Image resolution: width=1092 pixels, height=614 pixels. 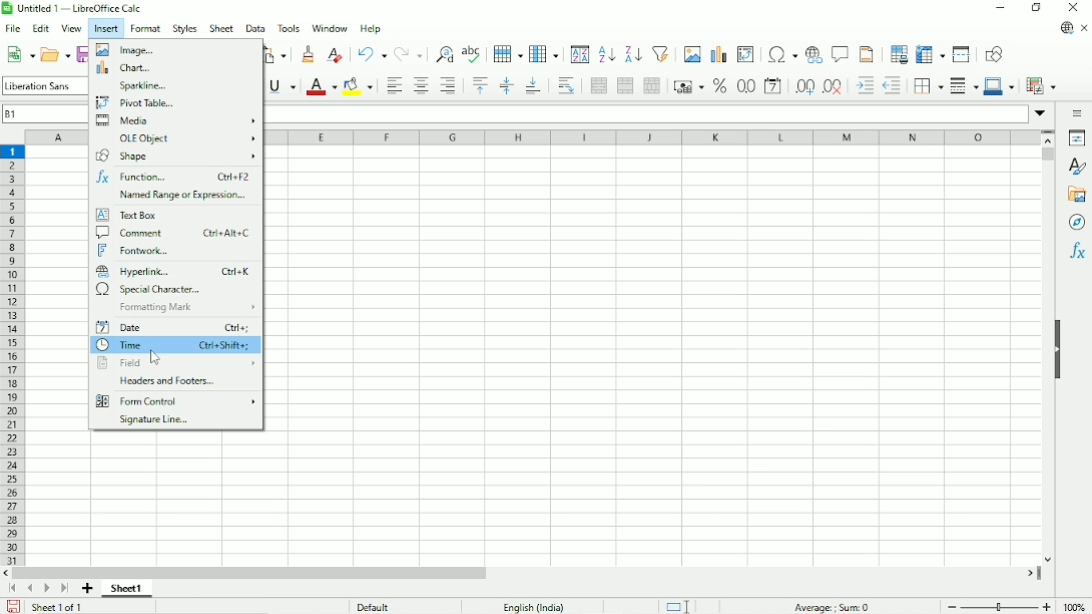 I want to click on Vertical scrollbar, so click(x=1049, y=154).